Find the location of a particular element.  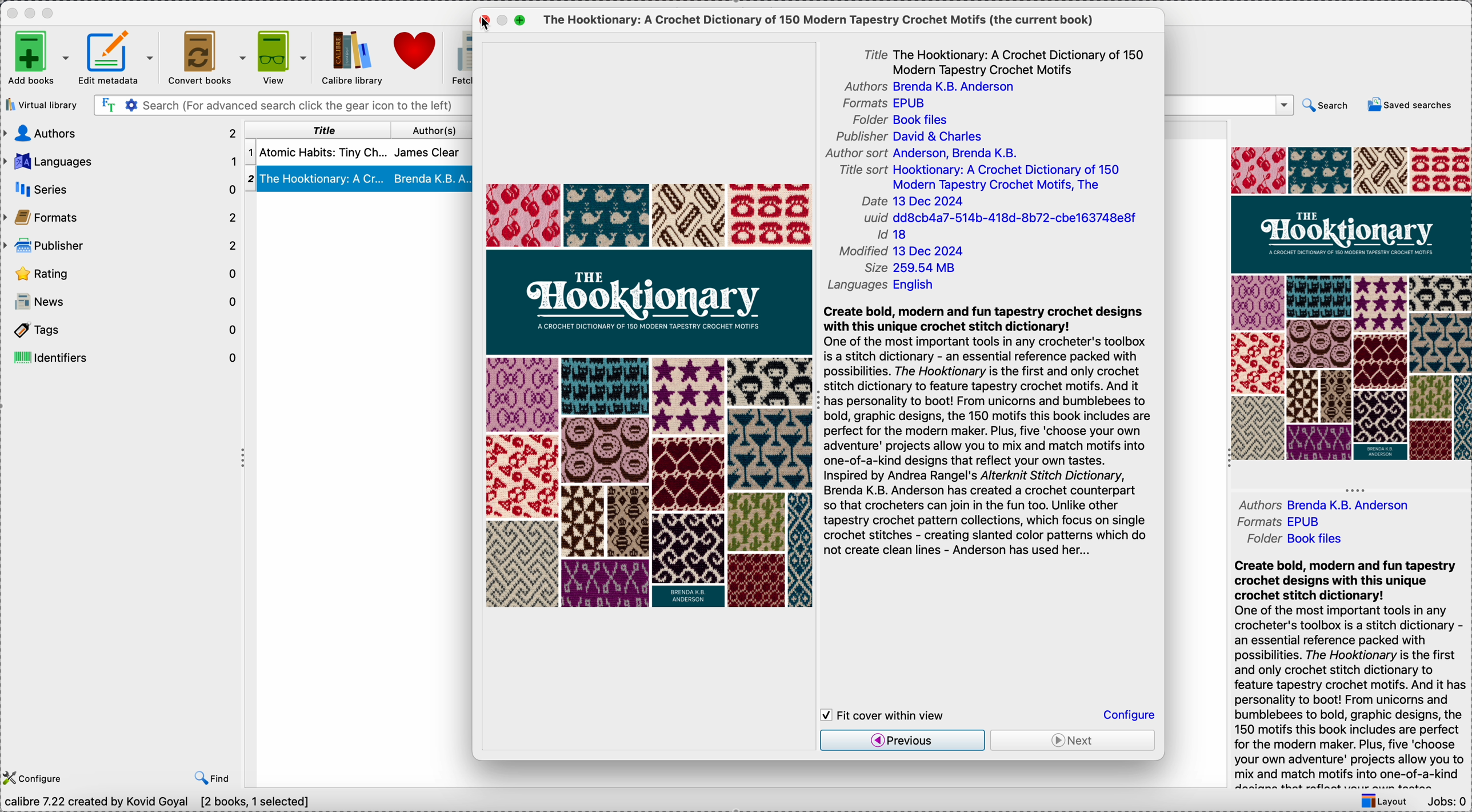

id 18 is located at coordinates (897, 235).